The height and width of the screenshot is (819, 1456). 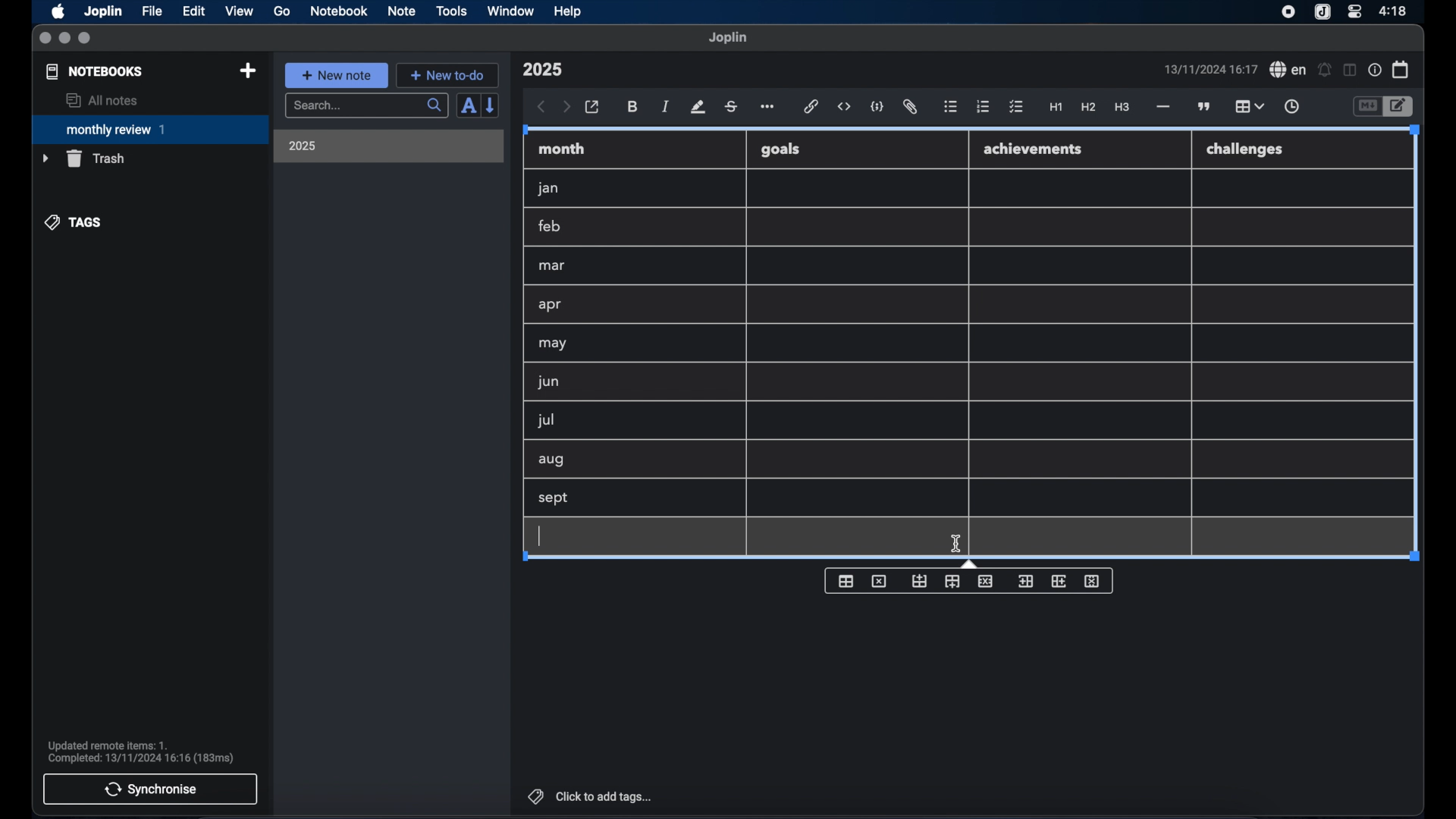 I want to click on challenges, so click(x=1246, y=150).